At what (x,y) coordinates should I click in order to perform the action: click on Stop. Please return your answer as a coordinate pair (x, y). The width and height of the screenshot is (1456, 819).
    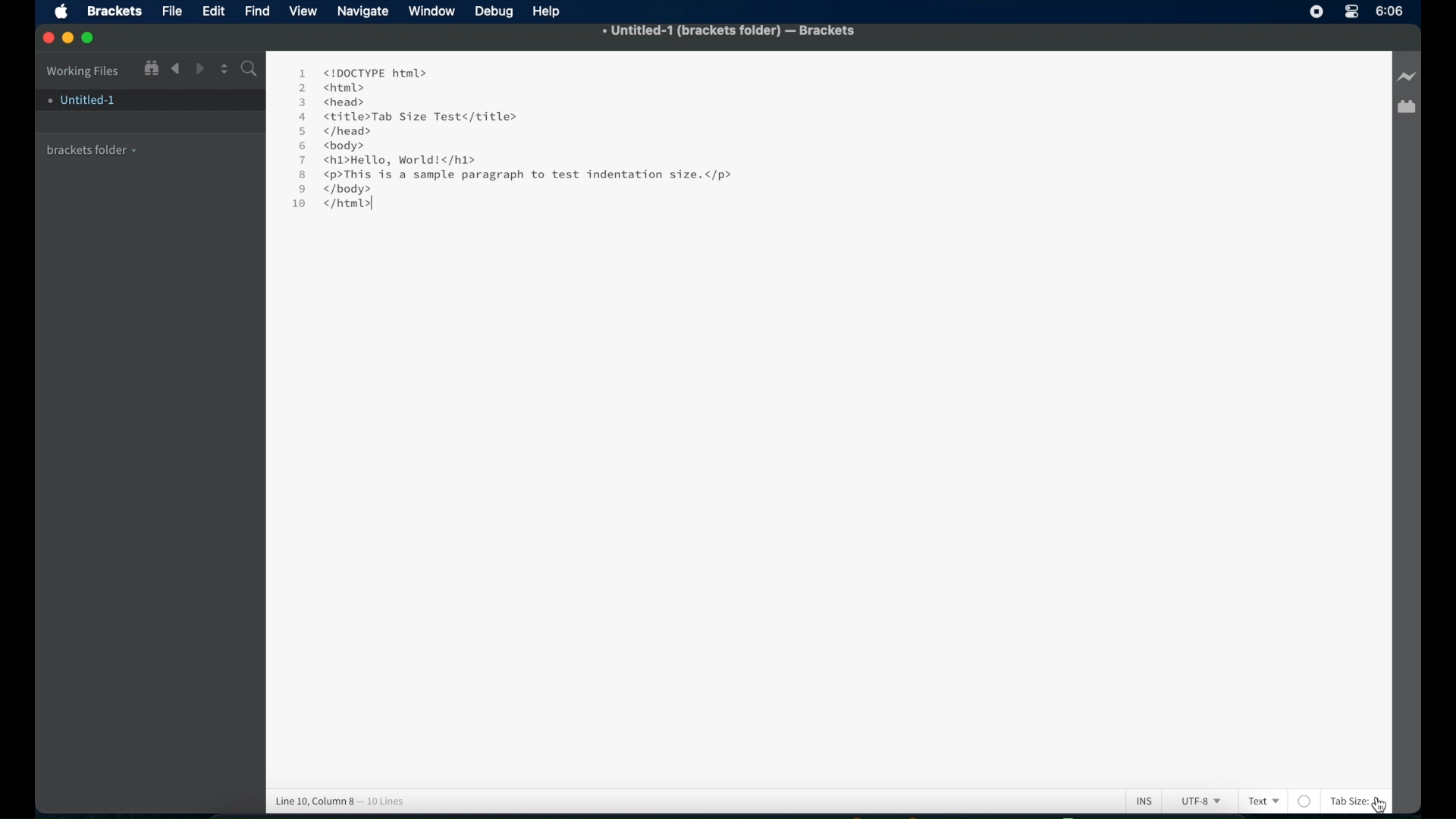
    Looking at the image, I should click on (1316, 11).